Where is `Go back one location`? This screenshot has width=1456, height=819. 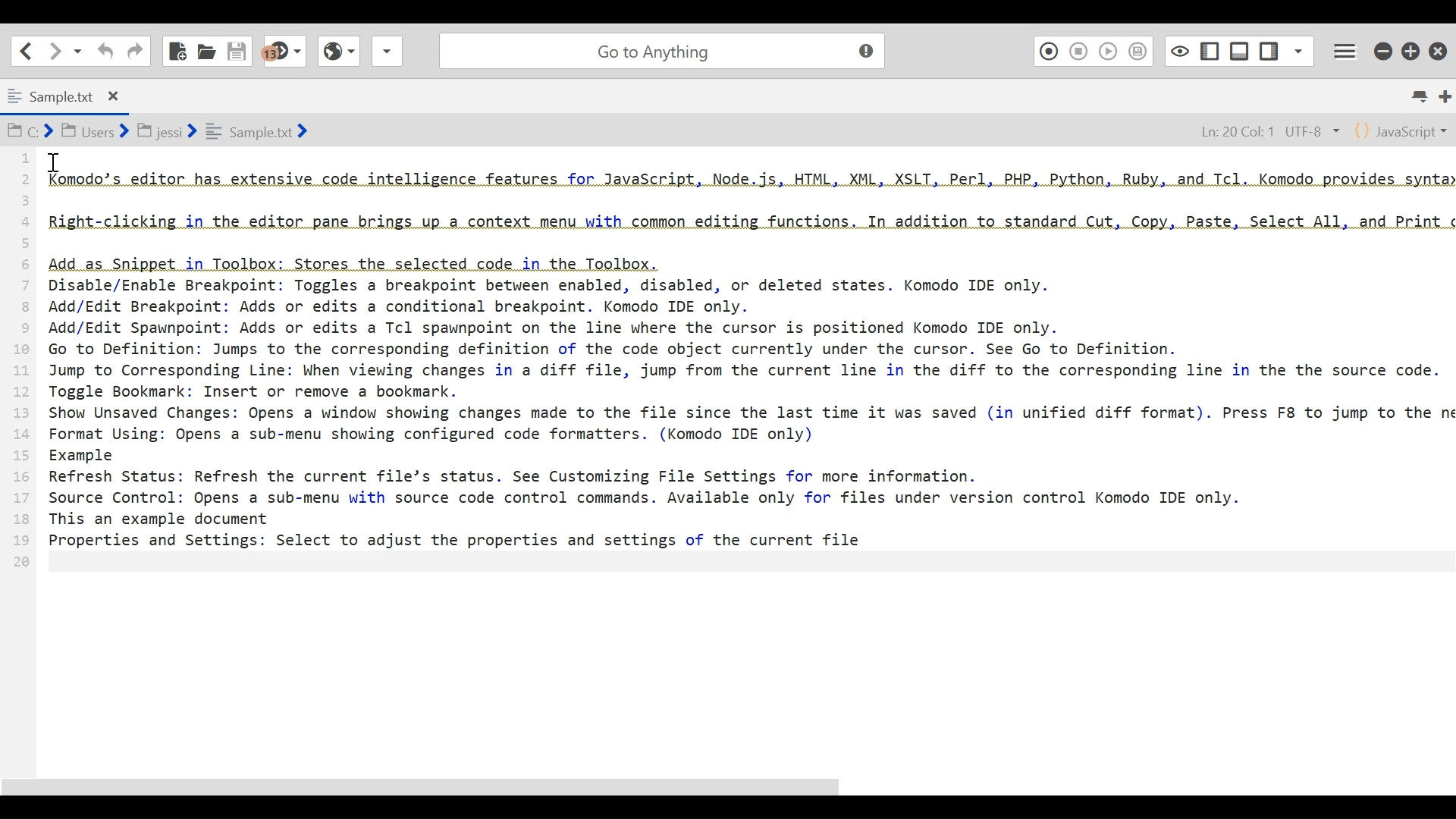
Go back one location is located at coordinates (26, 50).